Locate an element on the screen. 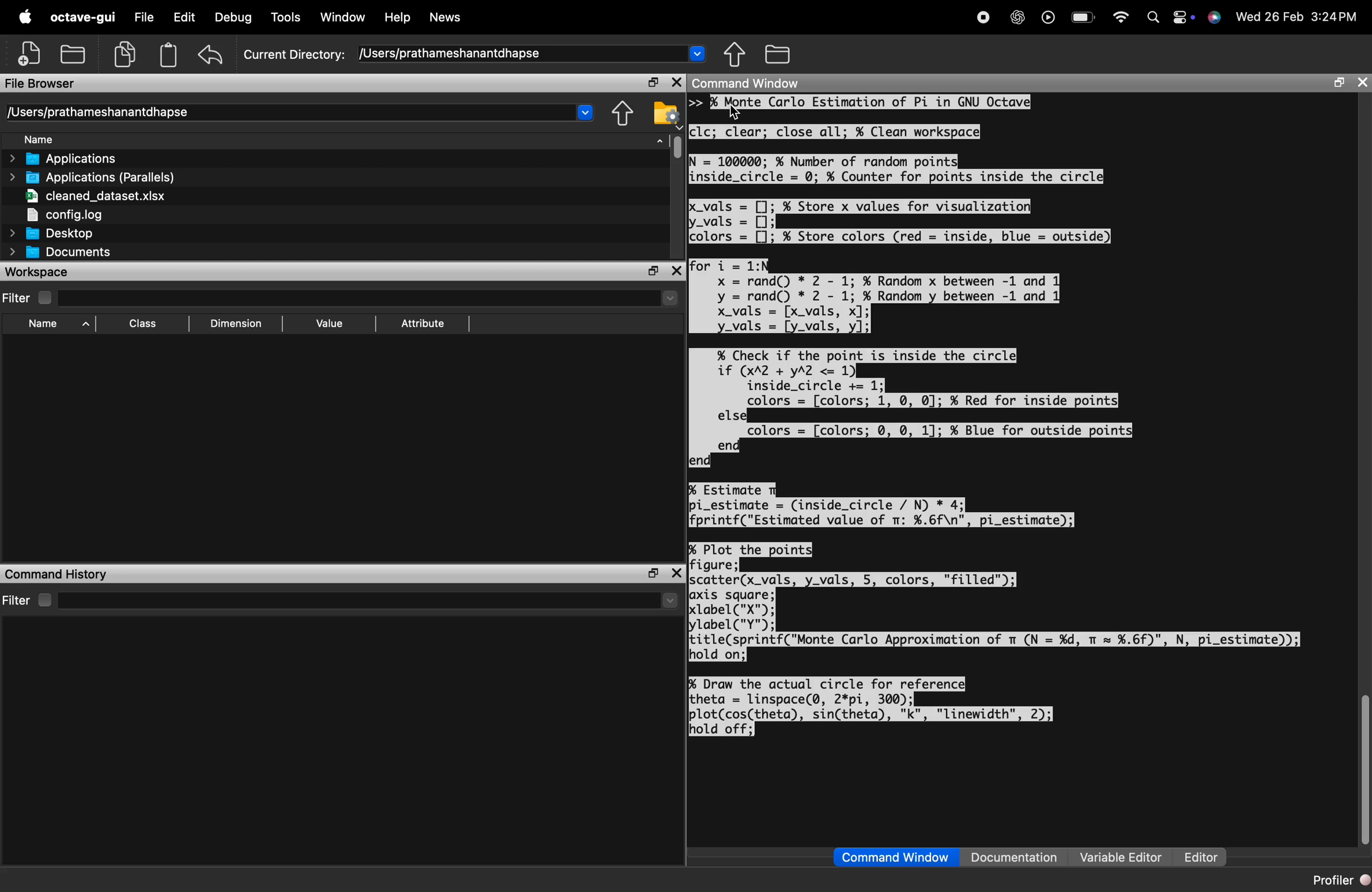  Edit is located at coordinates (183, 19).